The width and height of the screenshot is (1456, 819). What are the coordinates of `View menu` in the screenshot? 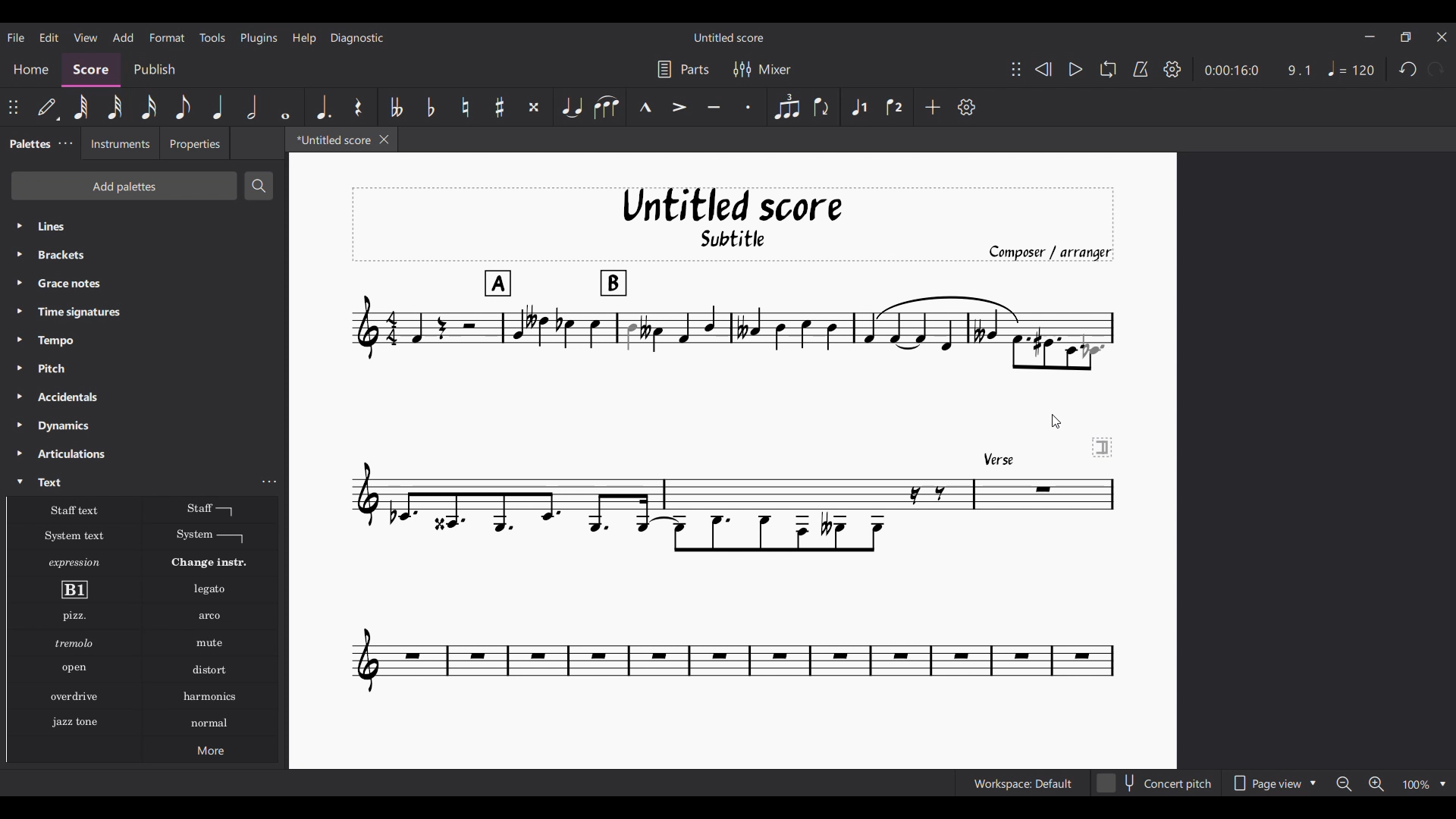 It's located at (86, 38).